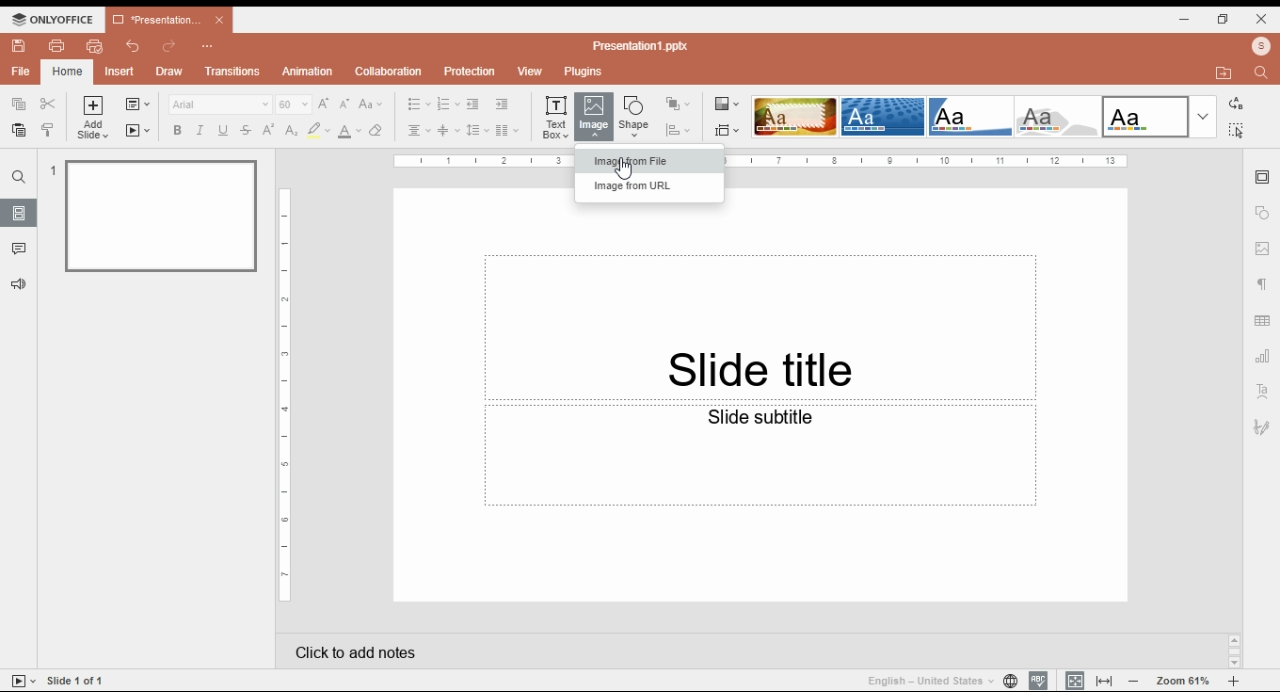 The width and height of the screenshot is (1280, 692). I want to click on Side 1 of 1, so click(82, 679).